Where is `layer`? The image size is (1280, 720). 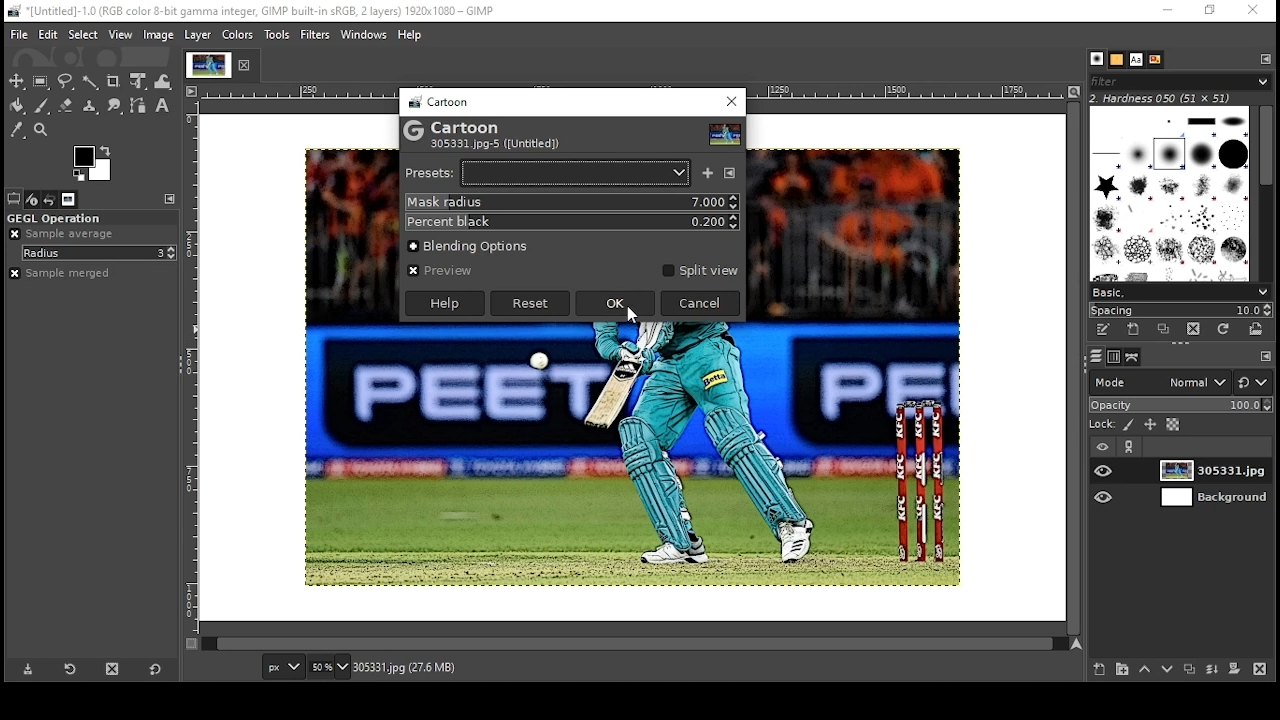
layer is located at coordinates (199, 35).